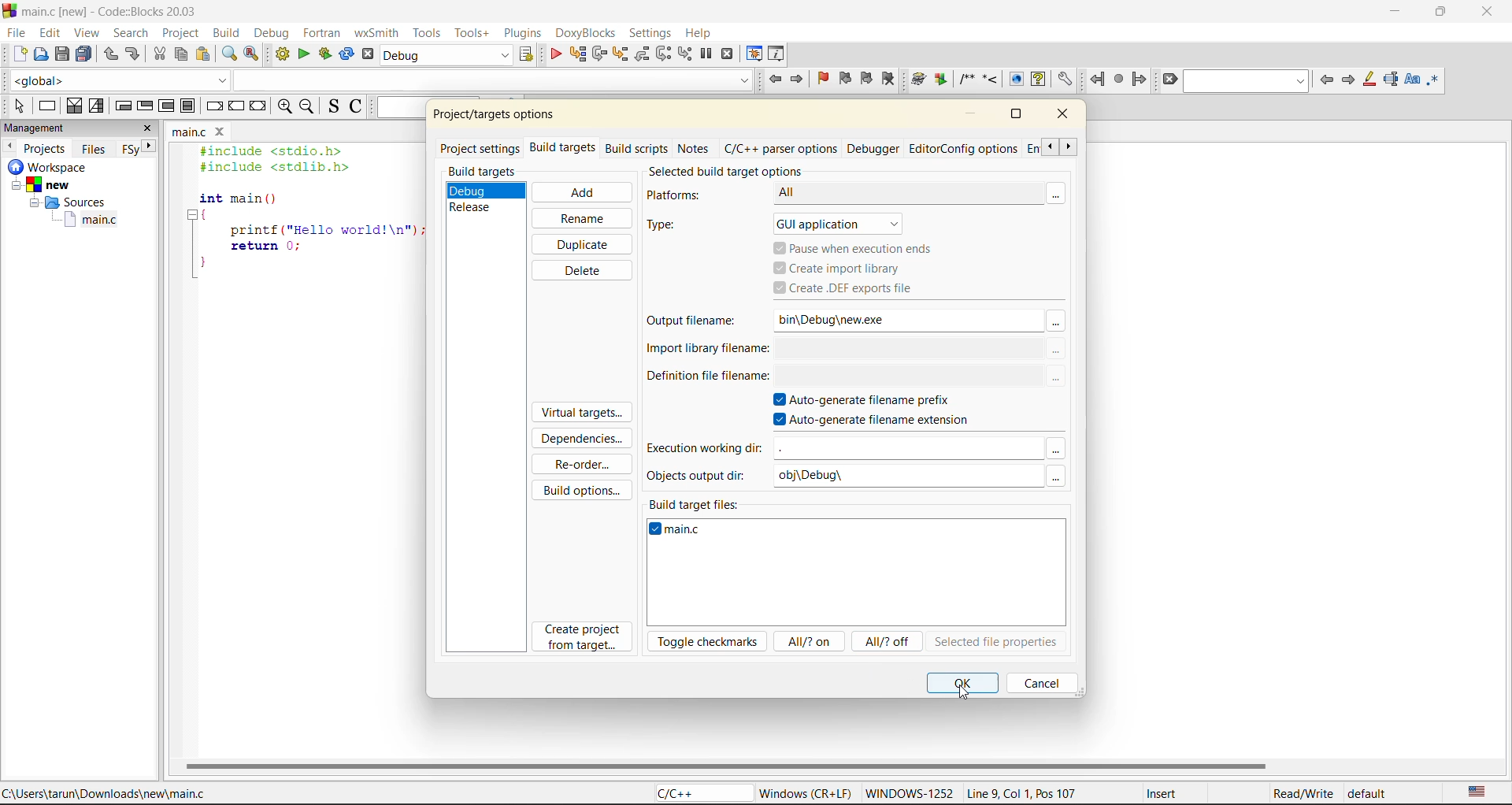  What do you see at coordinates (964, 684) in the screenshot?
I see `ok` at bounding box center [964, 684].